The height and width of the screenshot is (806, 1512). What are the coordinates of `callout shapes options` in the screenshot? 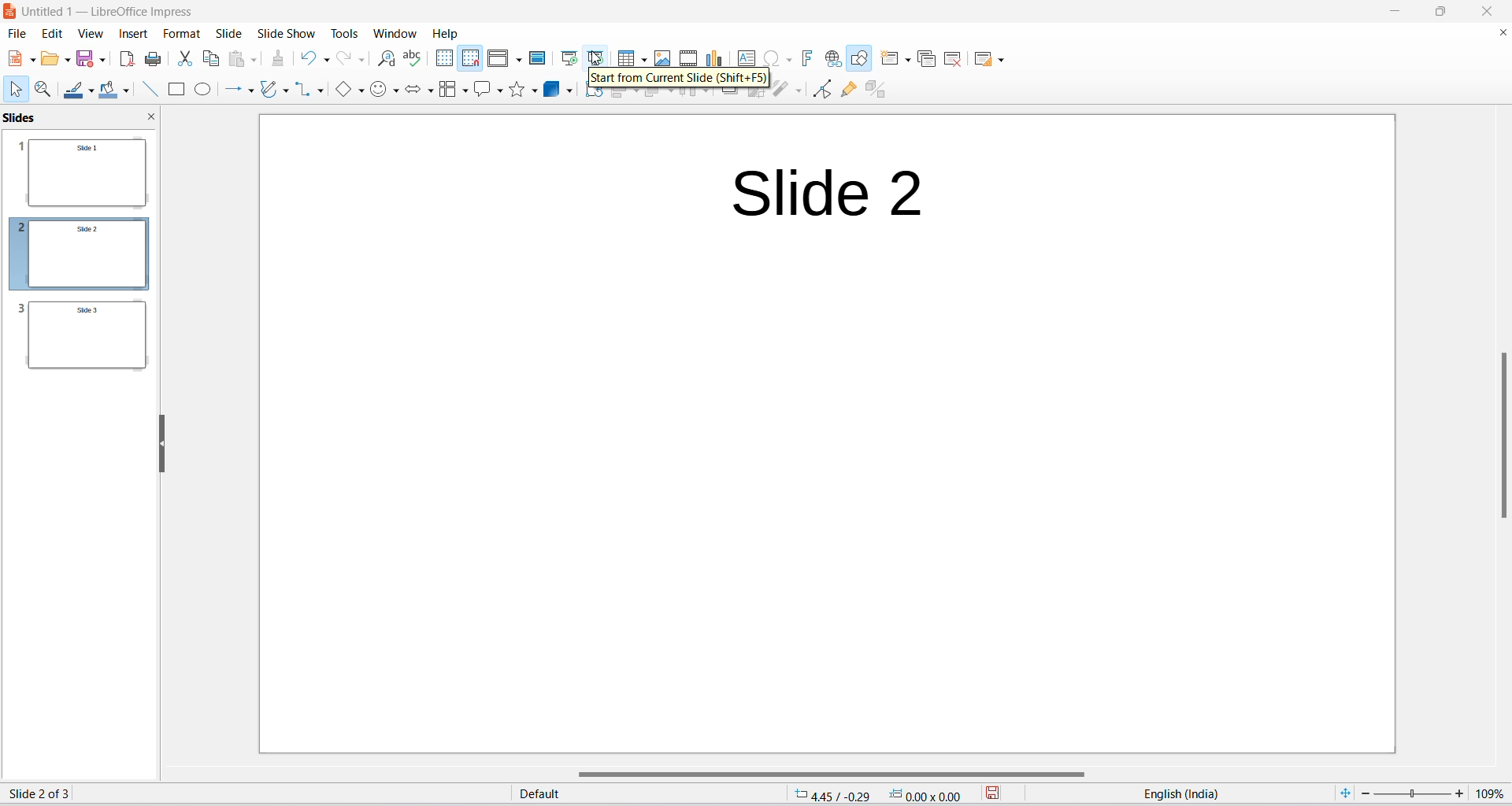 It's located at (498, 92).